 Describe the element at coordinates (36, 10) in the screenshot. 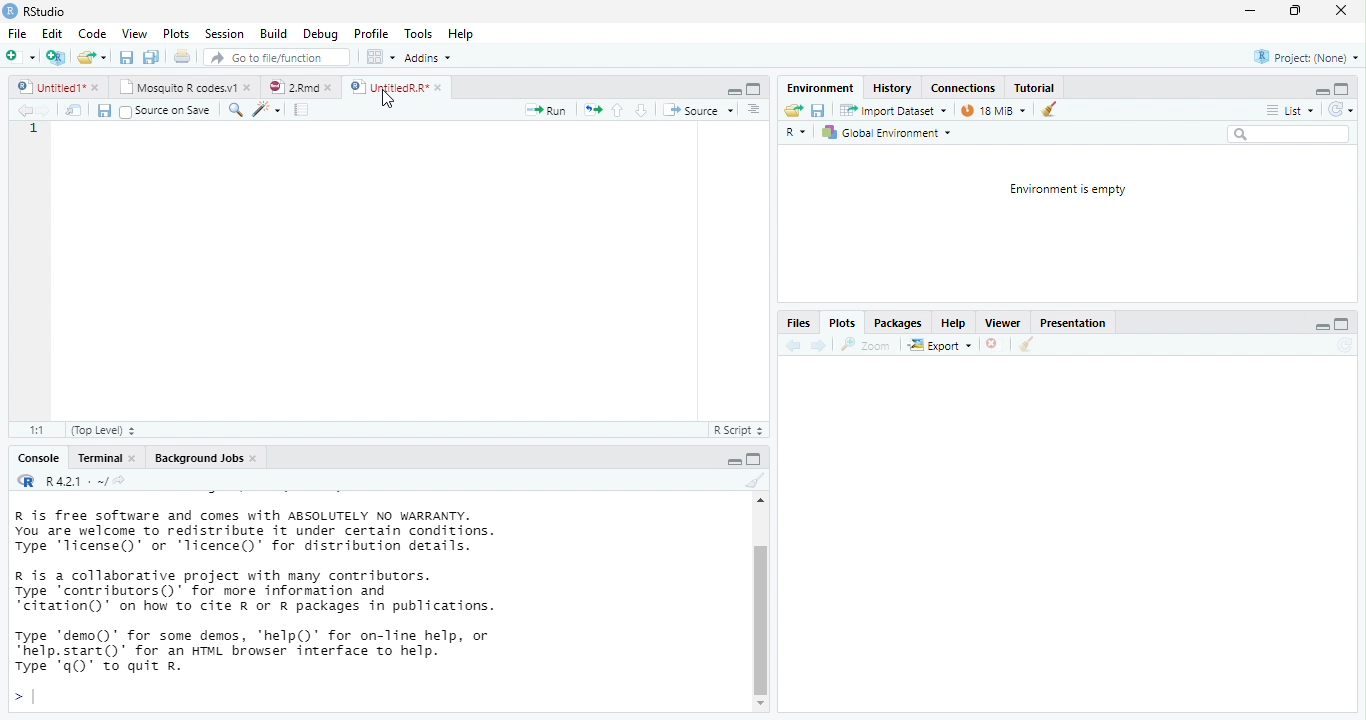

I see `RStudio` at that location.